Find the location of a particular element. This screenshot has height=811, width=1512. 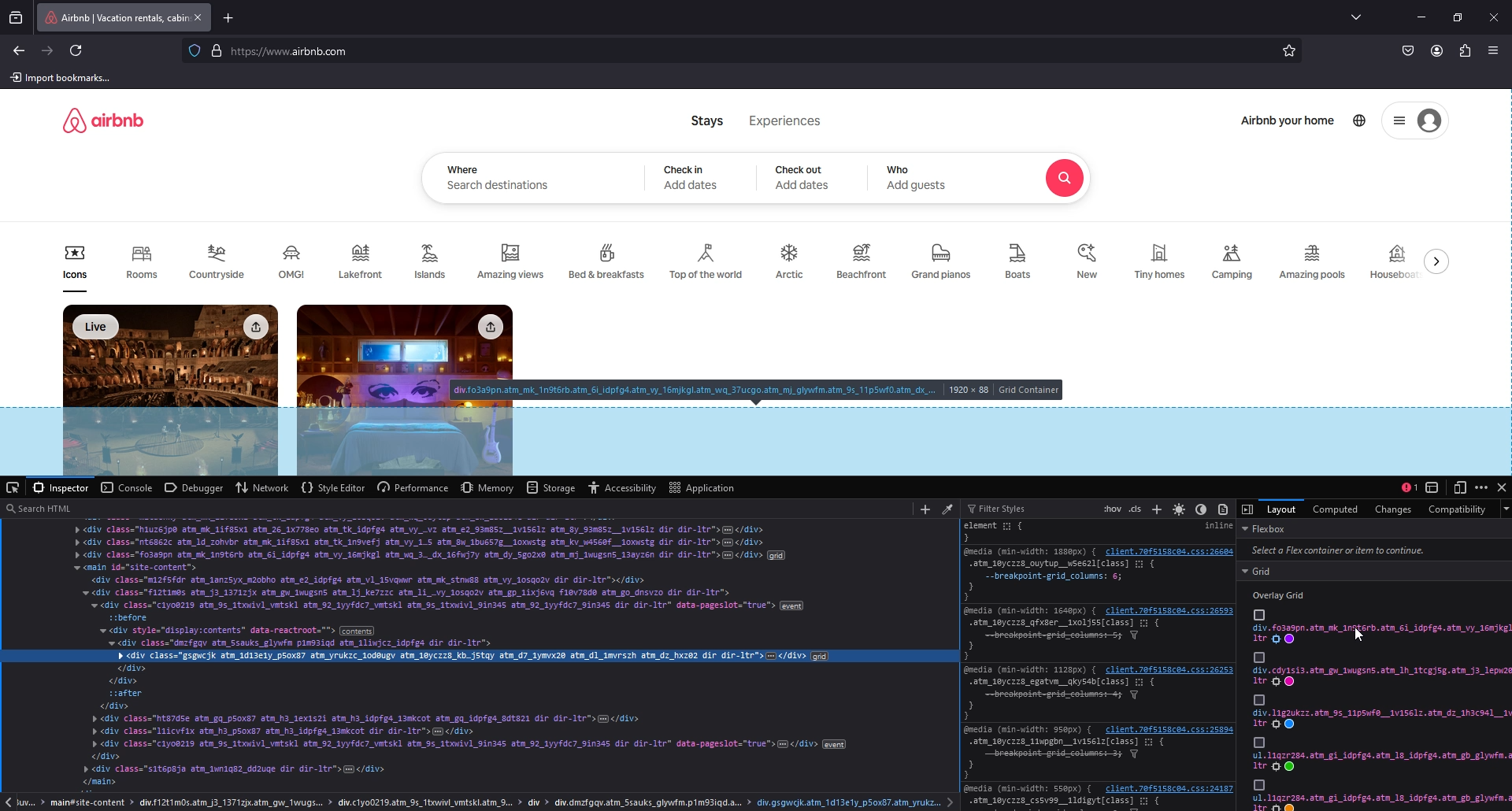

profile is located at coordinates (1436, 51).